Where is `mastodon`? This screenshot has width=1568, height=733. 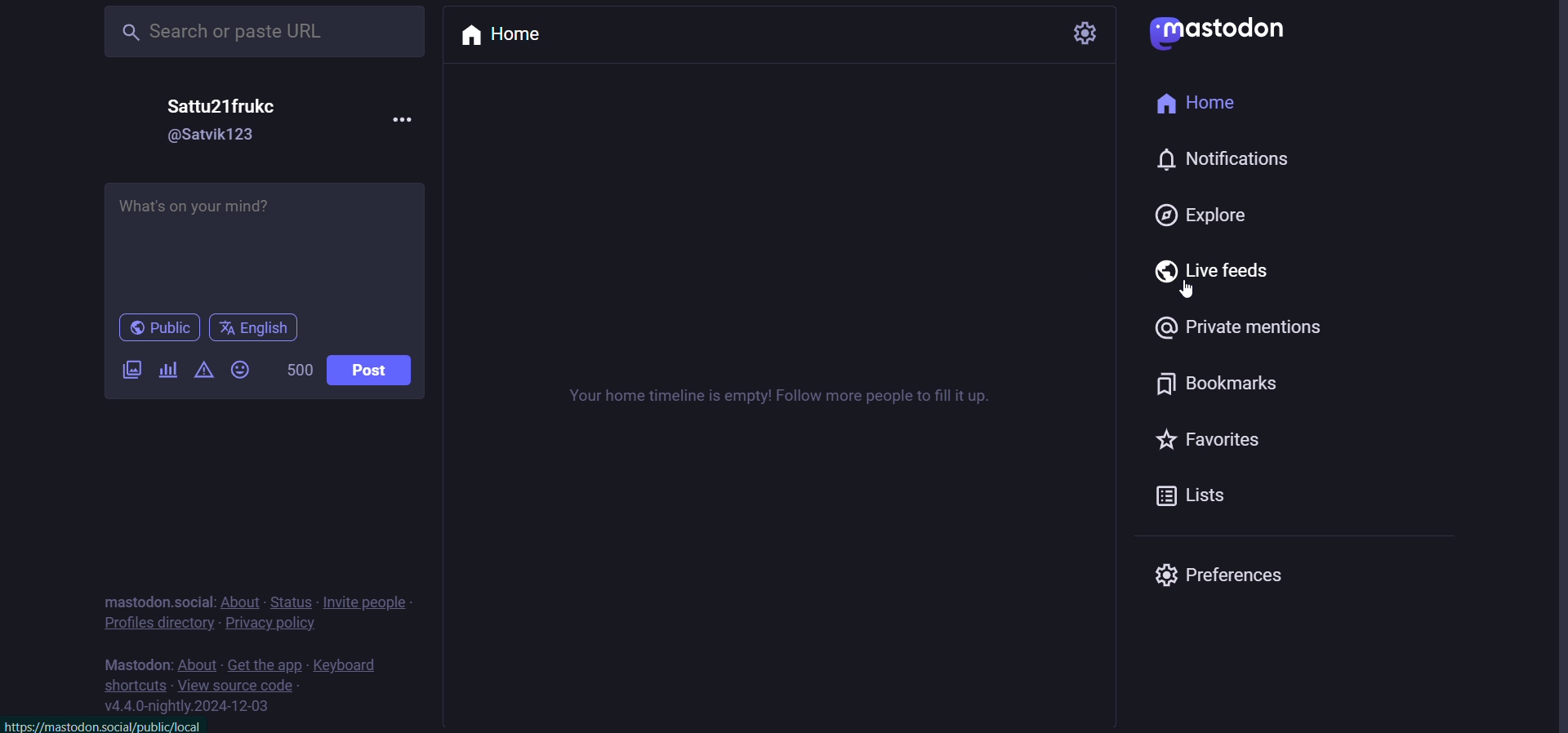 mastodon is located at coordinates (136, 602).